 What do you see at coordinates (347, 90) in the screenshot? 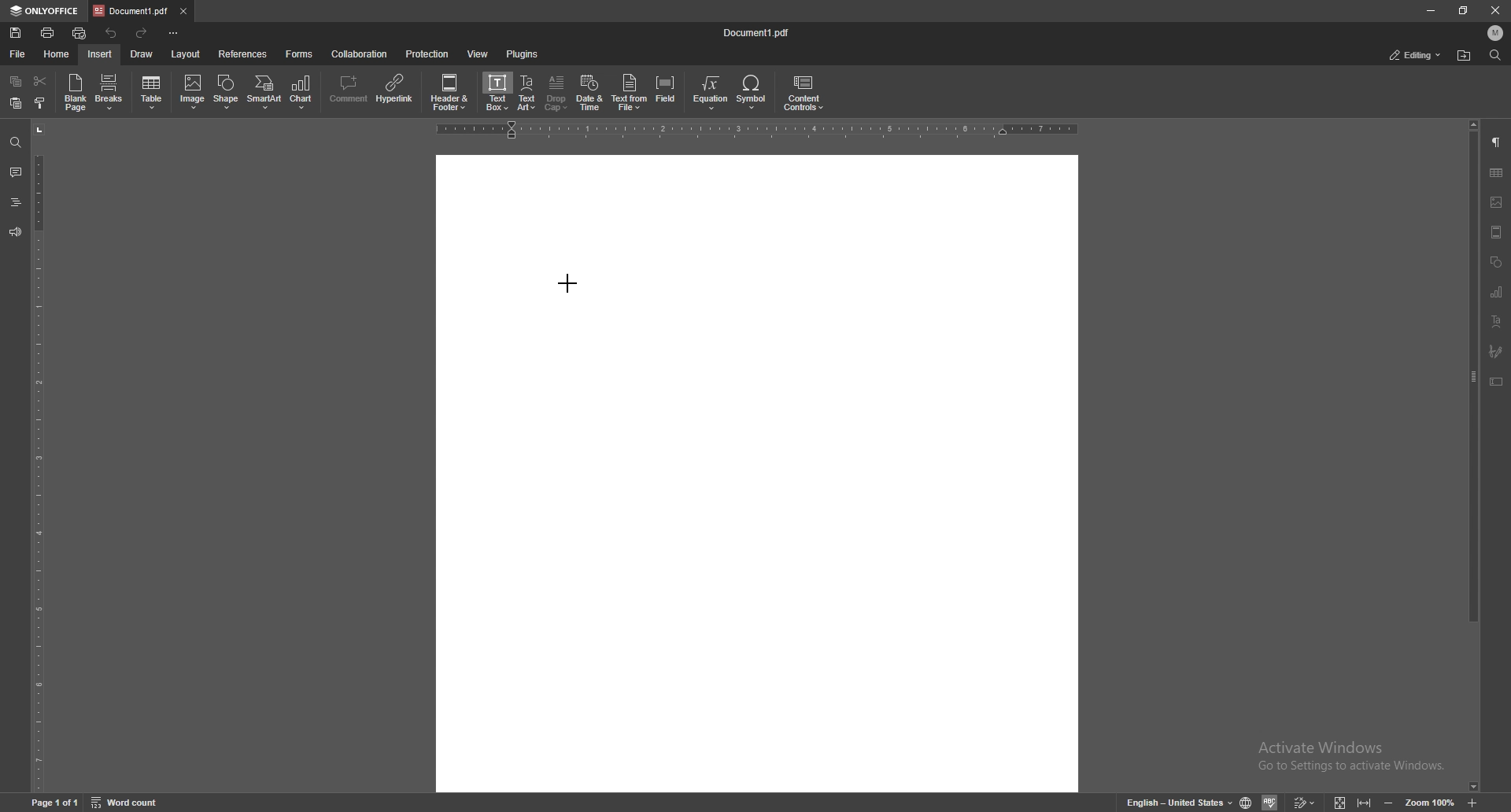
I see `comment` at bounding box center [347, 90].